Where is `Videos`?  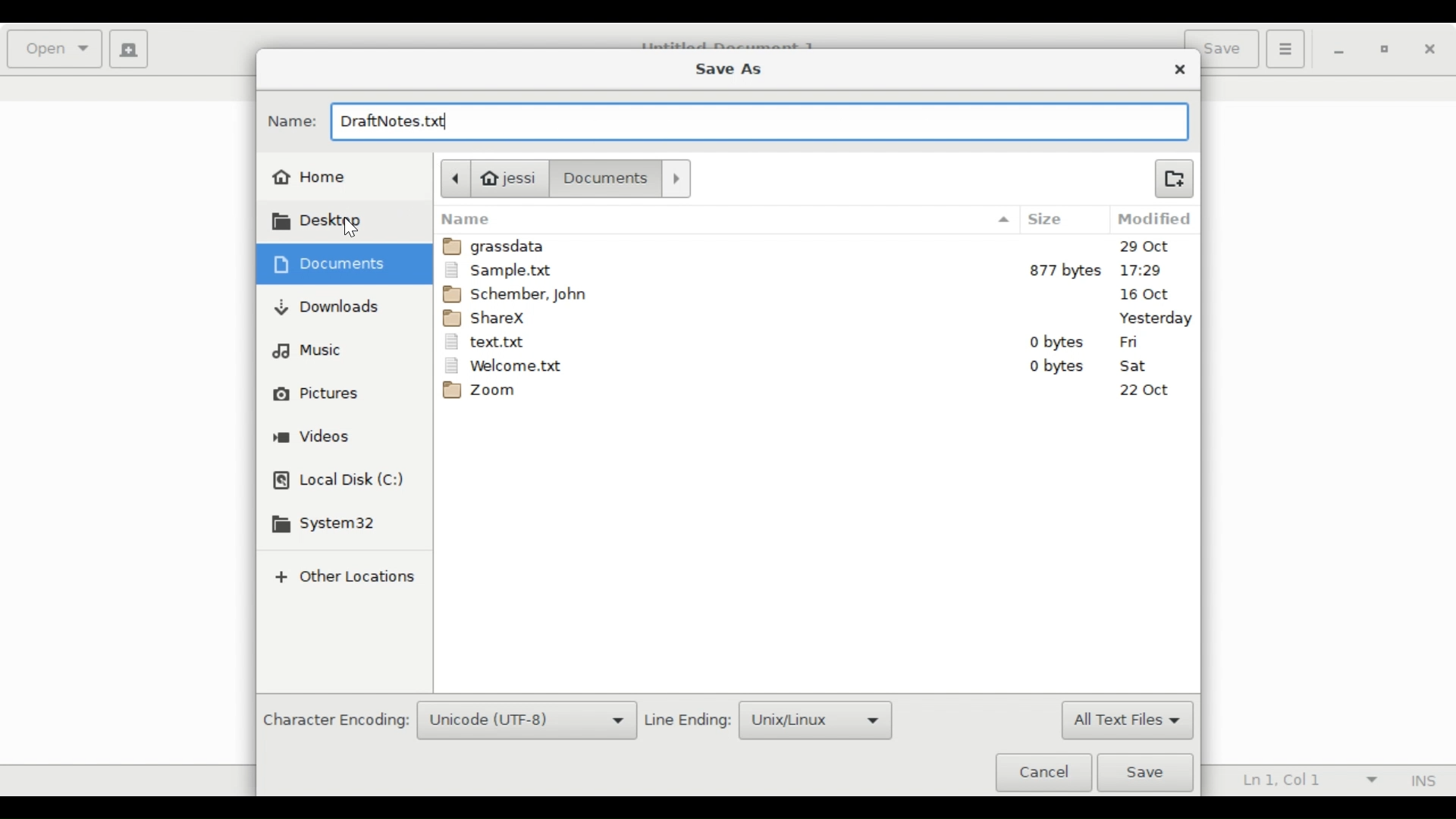
Videos is located at coordinates (313, 438).